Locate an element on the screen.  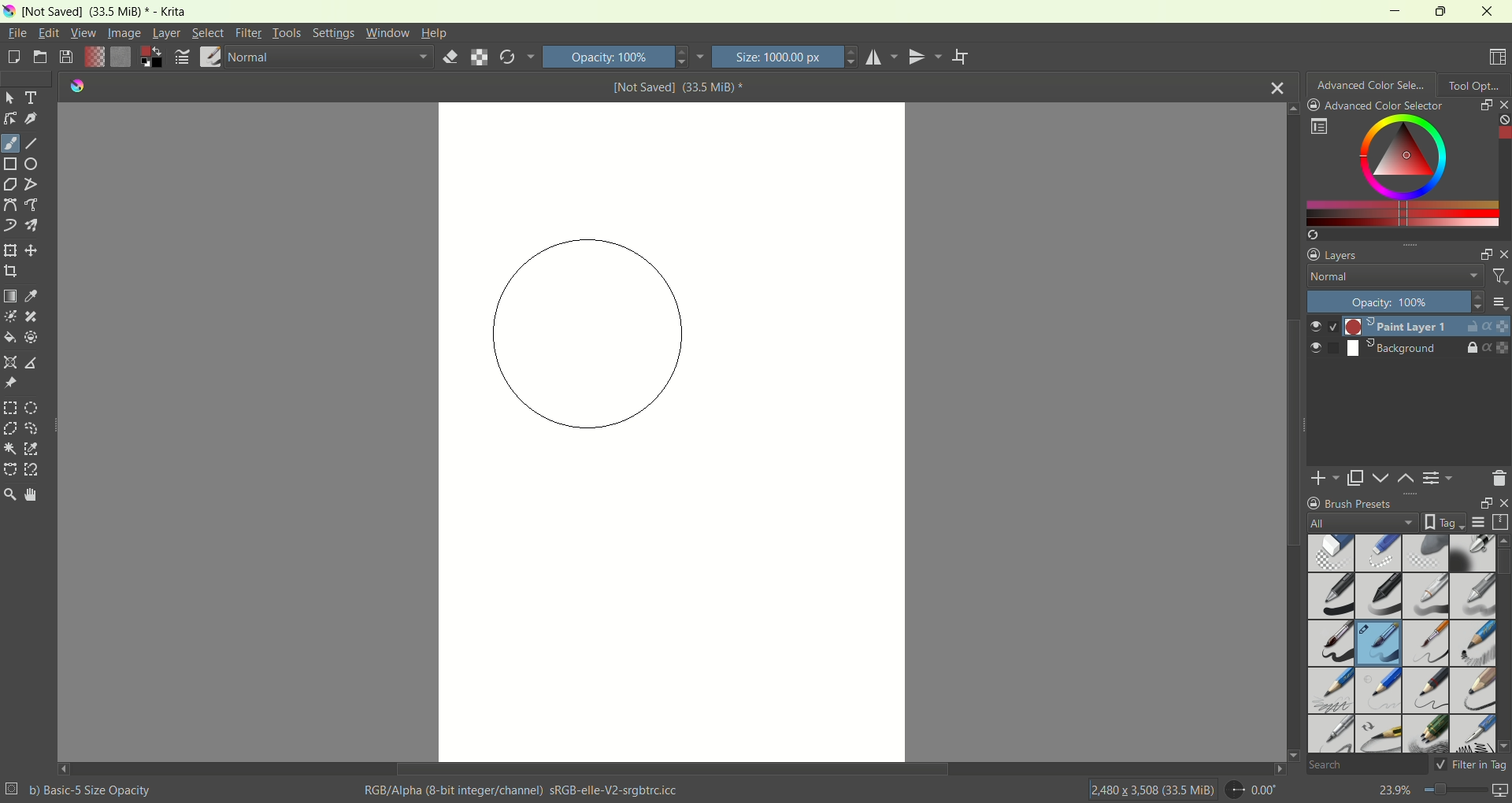
move layer up is located at coordinates (1407, 479).